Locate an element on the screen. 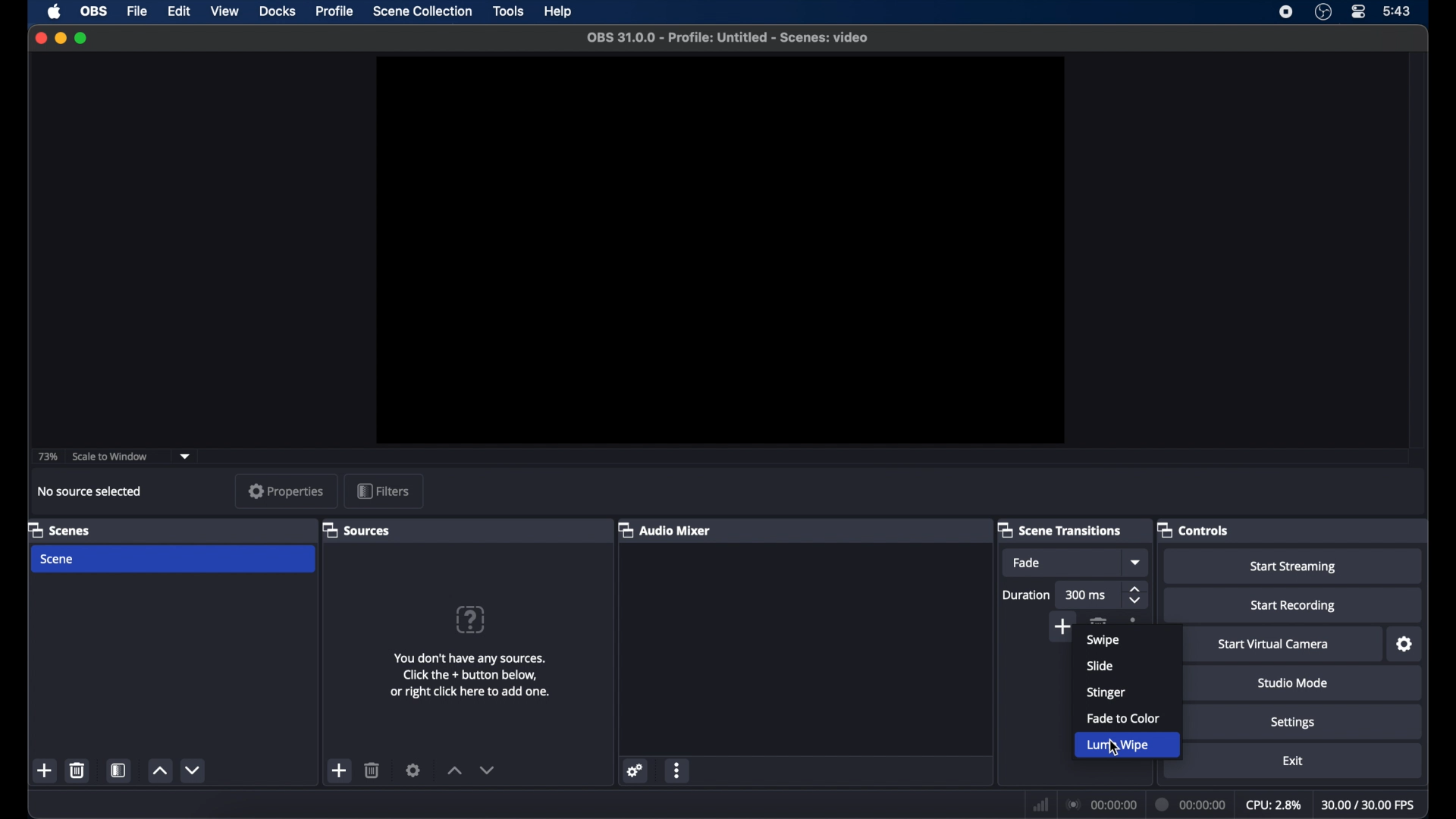 The image size is (1456, 819). question mark icon is located at coordinates (469, 620).